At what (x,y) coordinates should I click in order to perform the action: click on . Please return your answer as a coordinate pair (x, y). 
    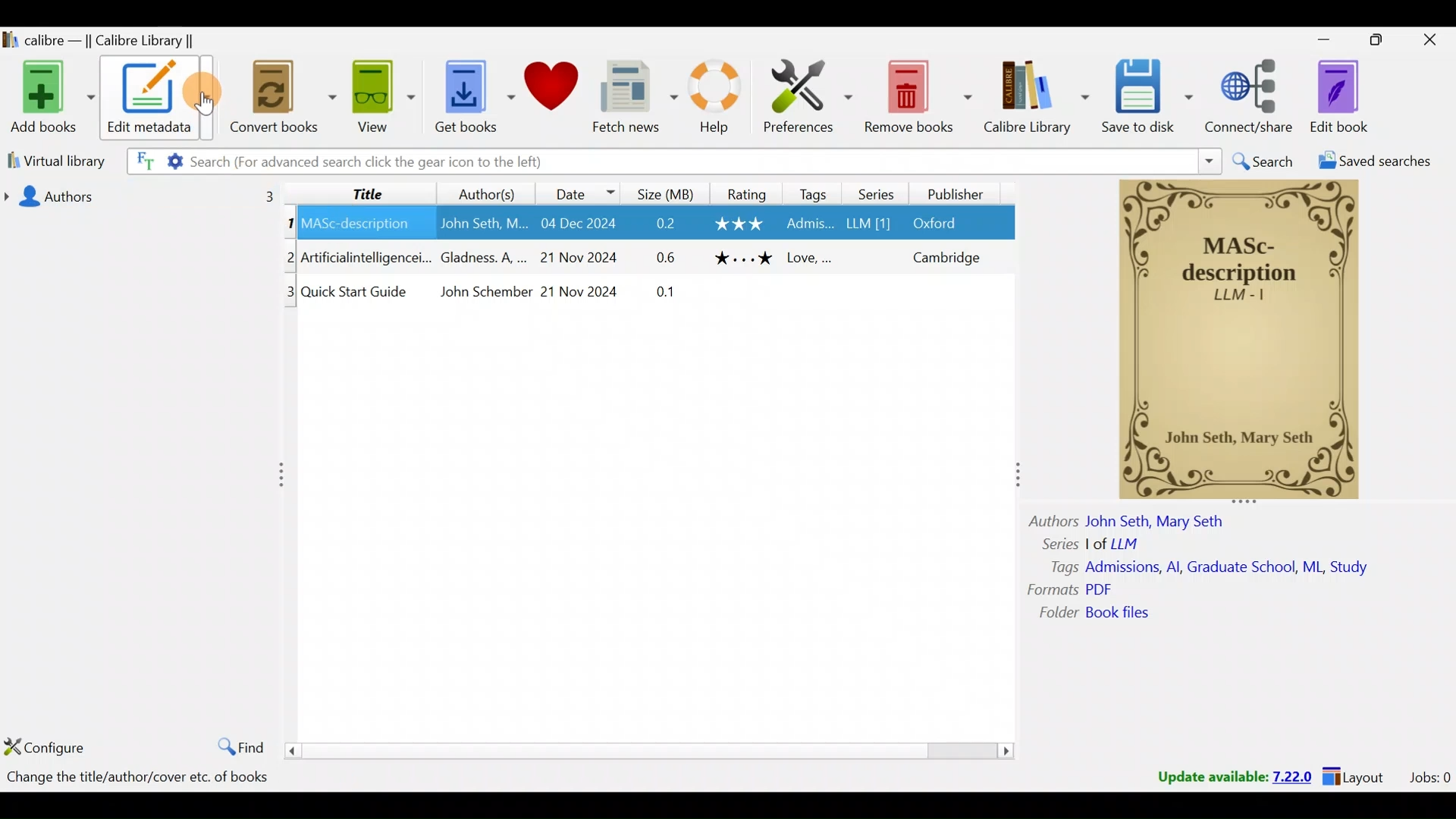
    Looking at the image, I should click on (666, 293).